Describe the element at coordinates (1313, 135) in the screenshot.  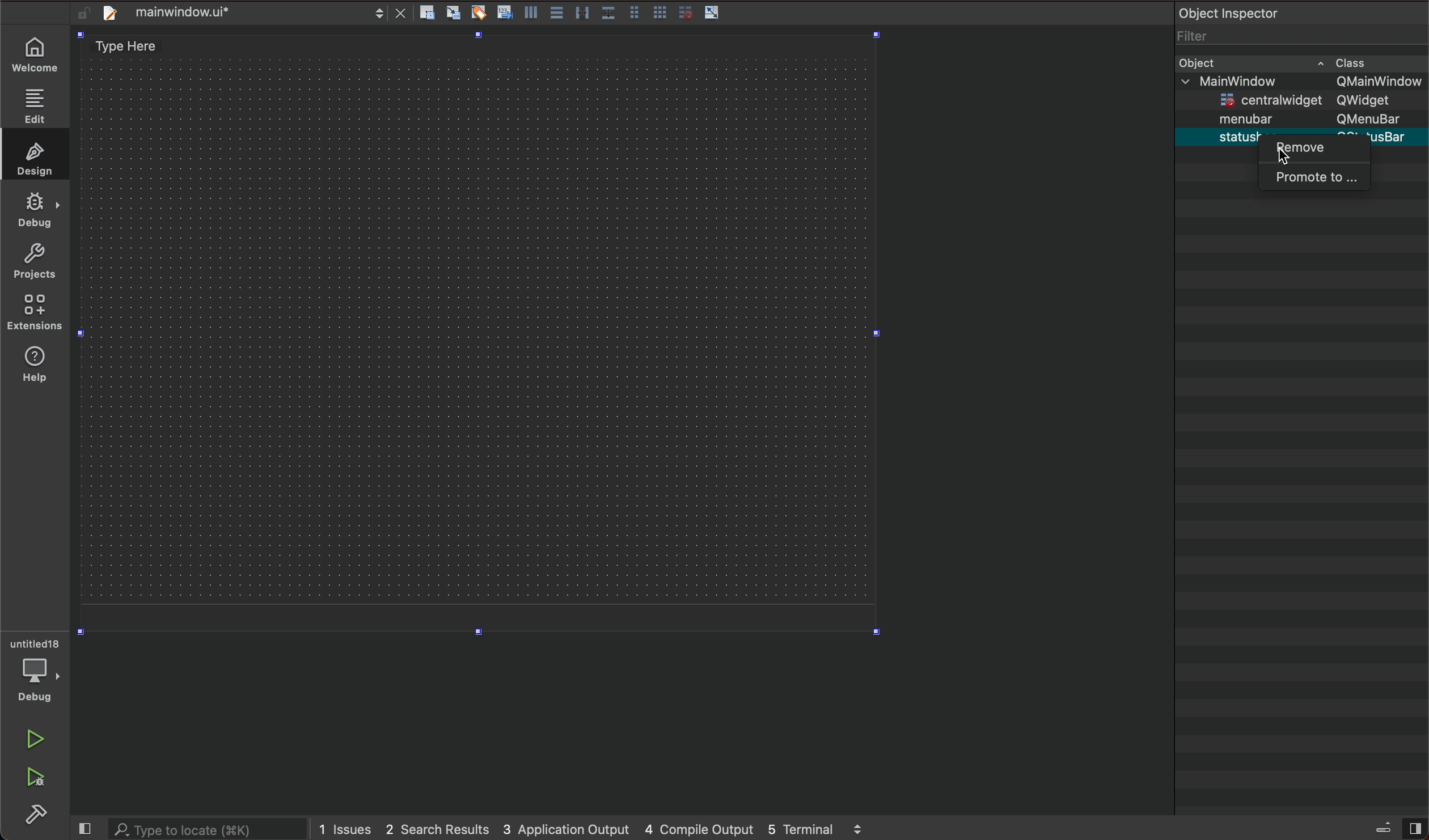
I see `statusbar Qstatusbar` at that location.